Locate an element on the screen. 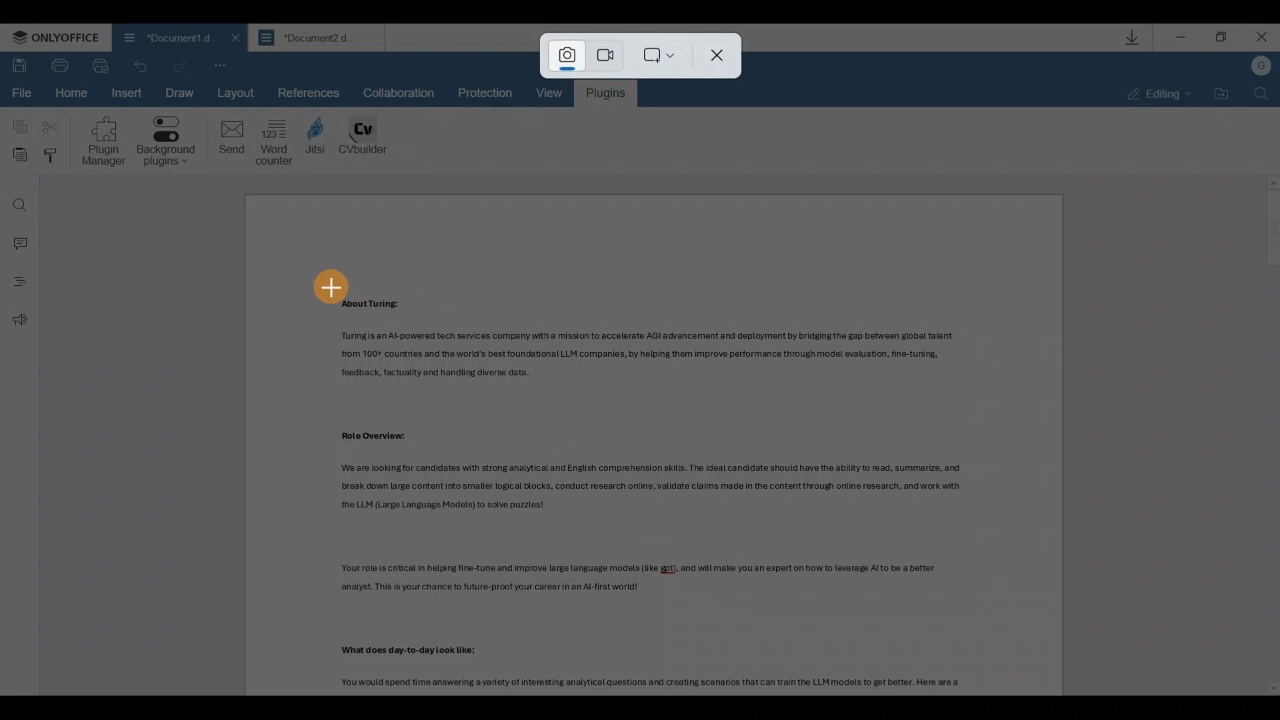 The width and height of the screenshot is (1280, 720). Print file is located at coordinates (59, 65).